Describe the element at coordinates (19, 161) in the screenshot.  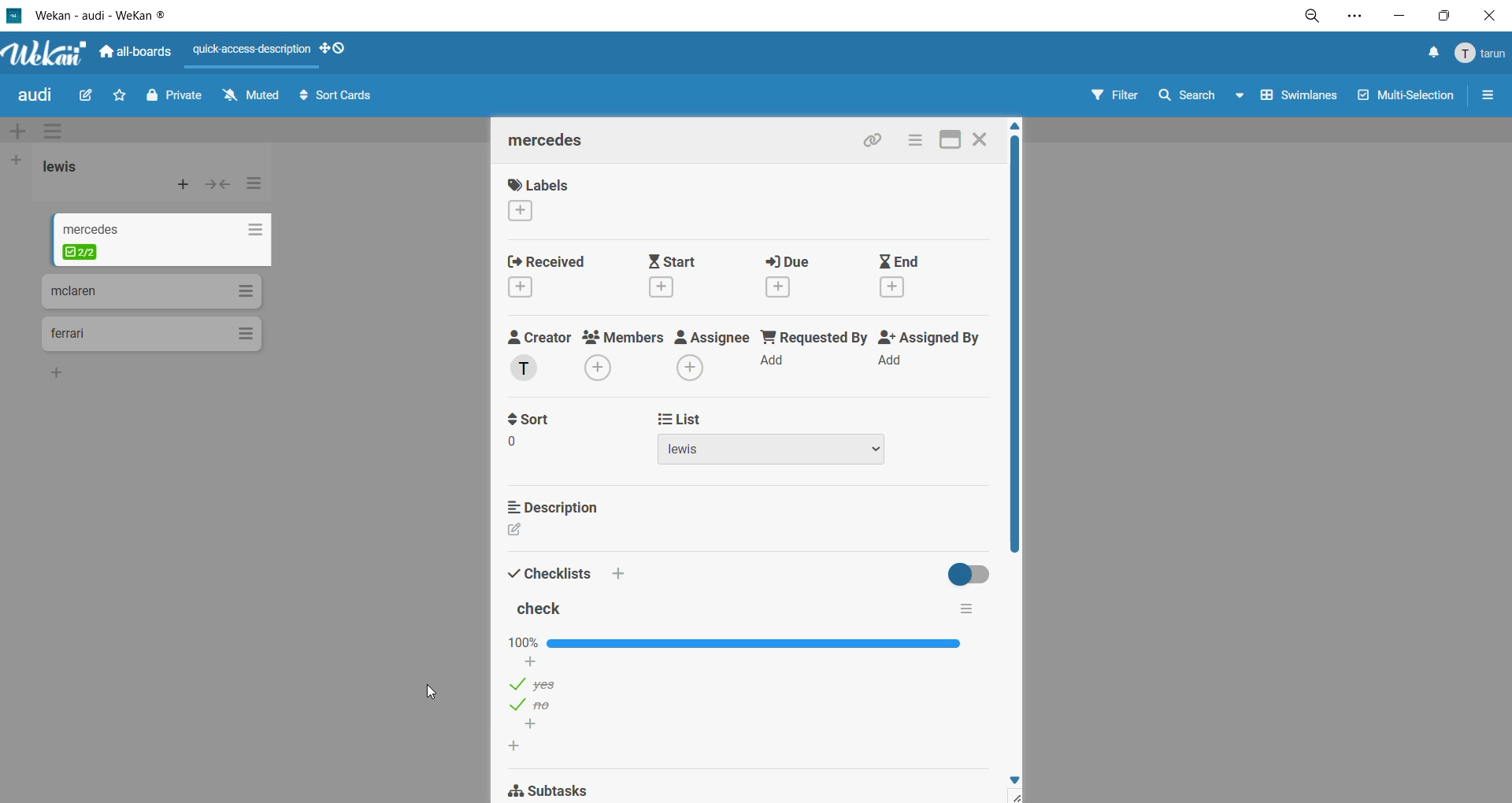
I see `add list` at that location.